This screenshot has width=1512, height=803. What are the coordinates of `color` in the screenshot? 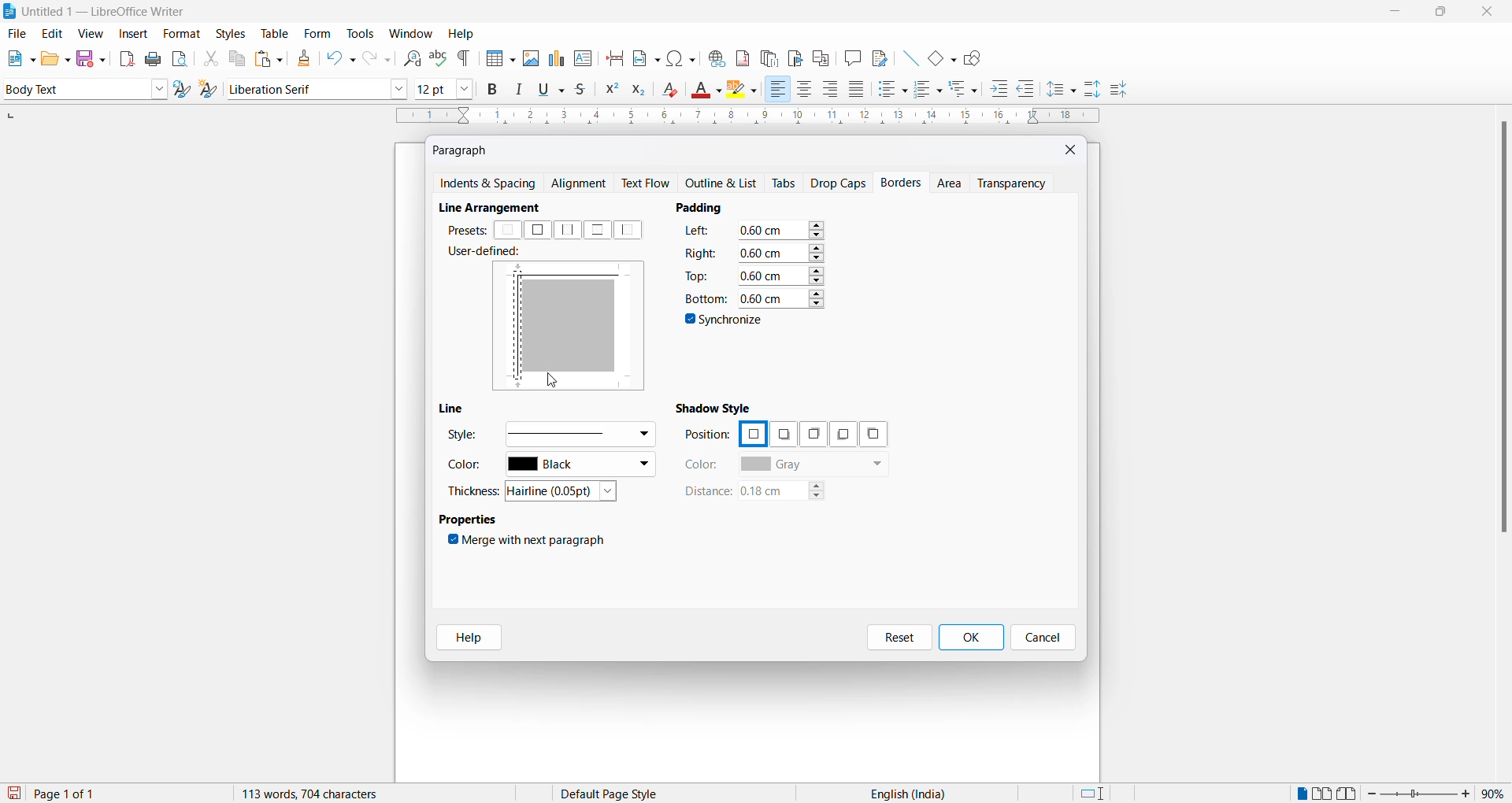 It's located at (702, 464).